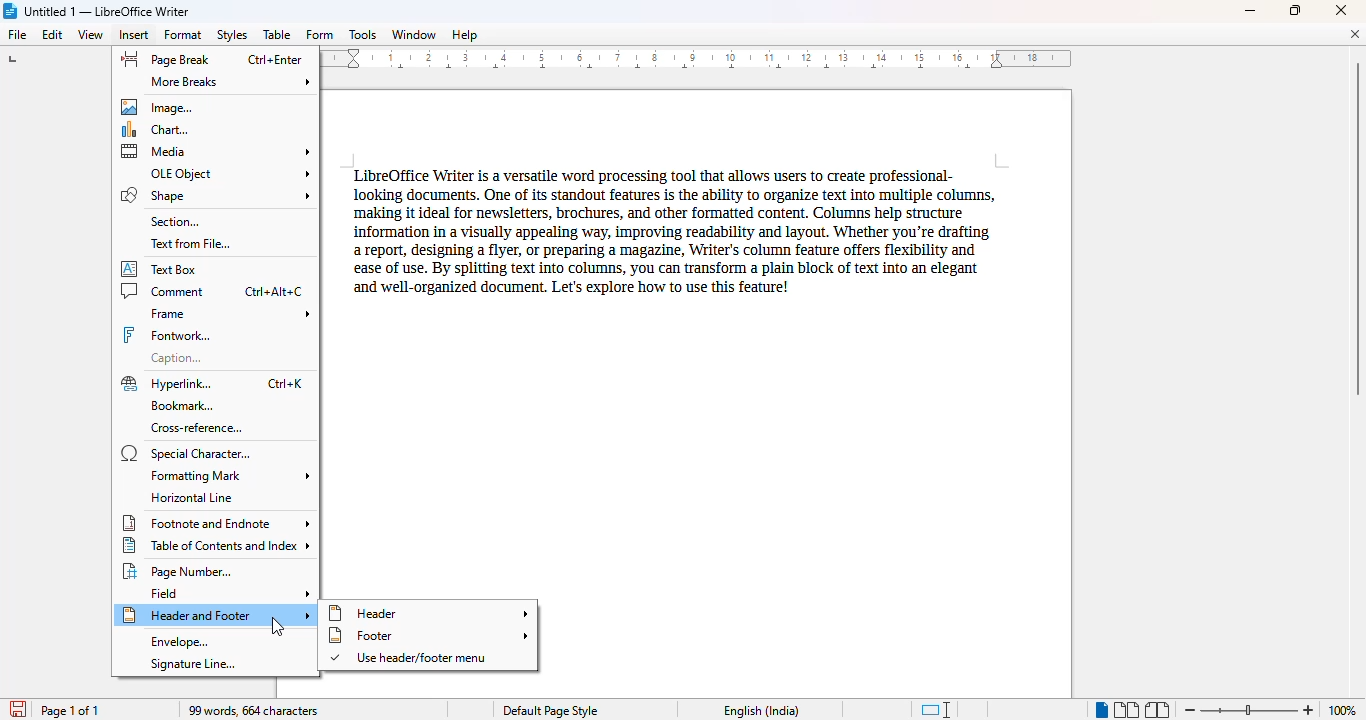 The width and height of the screenshot is (1366, 720). I want to click on OLE object, so click(230, 173).